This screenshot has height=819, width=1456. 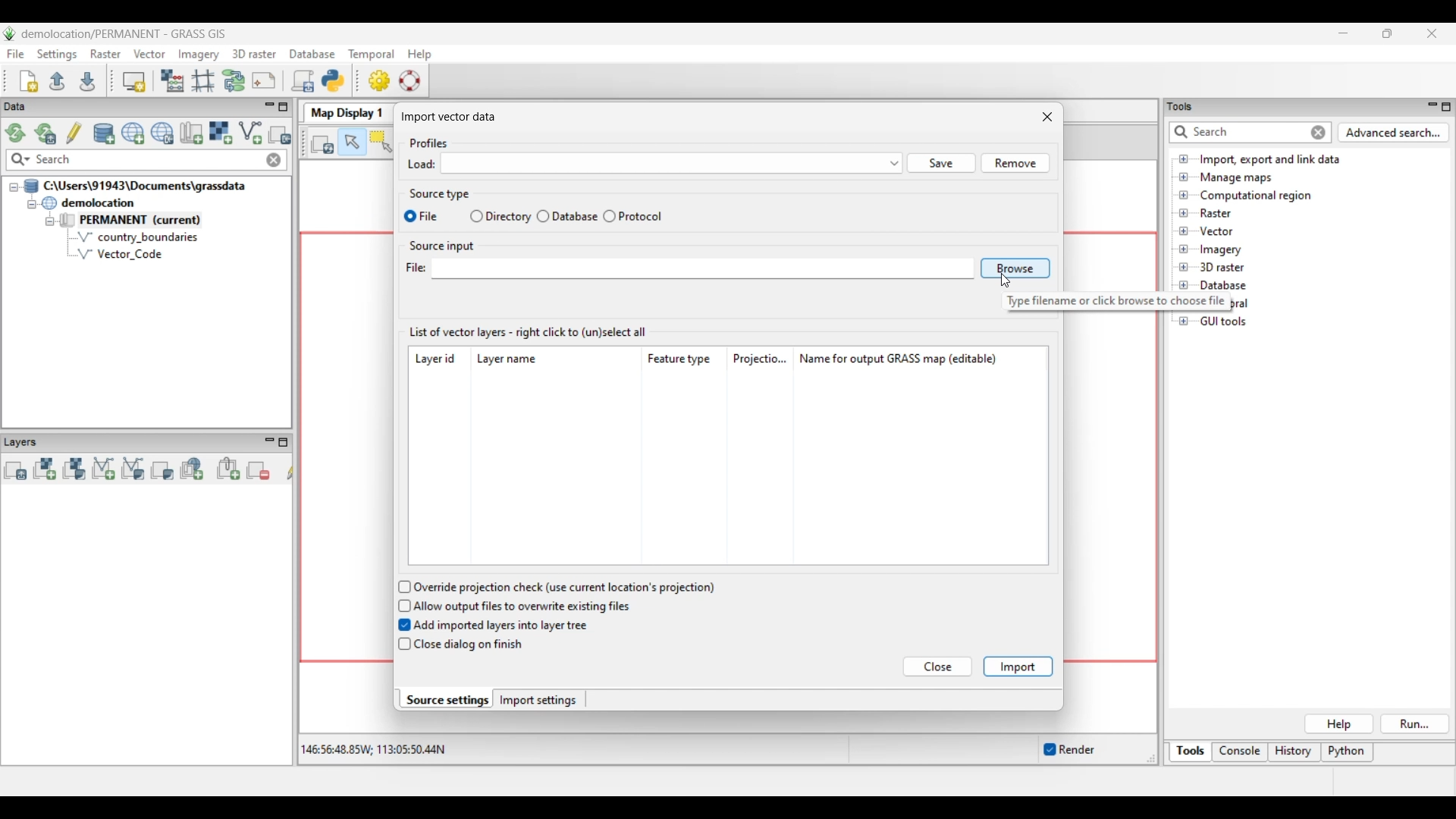 What do you see at coordinates (1015, 268) in the screenshot?
I see `Browse source input file` at bounding box center [1015, 268].